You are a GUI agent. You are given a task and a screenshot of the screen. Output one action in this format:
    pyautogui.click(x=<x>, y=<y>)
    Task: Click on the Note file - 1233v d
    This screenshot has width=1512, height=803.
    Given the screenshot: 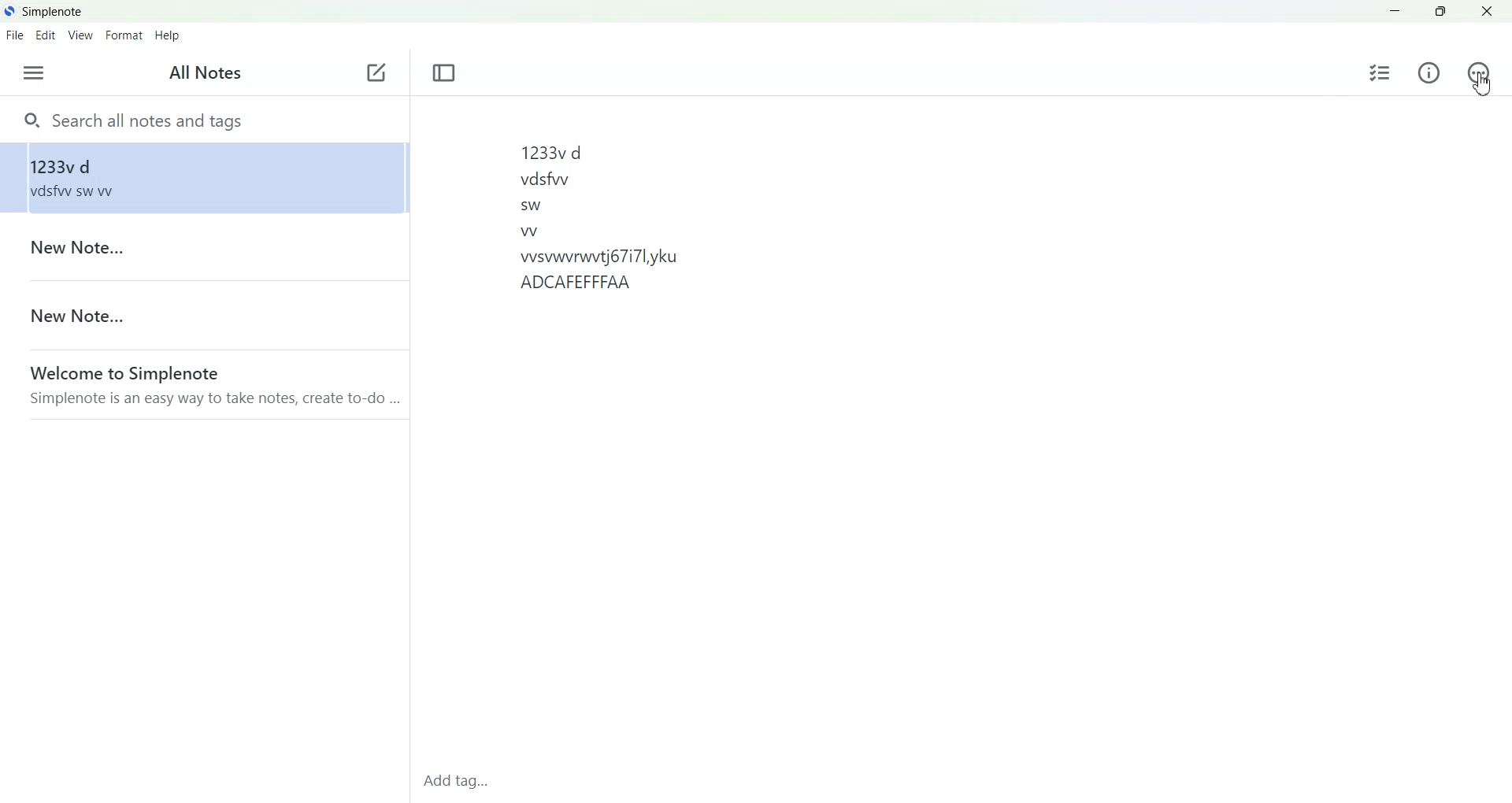 What is the action you would take?
    pyautogui.click(x=202, y=177)
    